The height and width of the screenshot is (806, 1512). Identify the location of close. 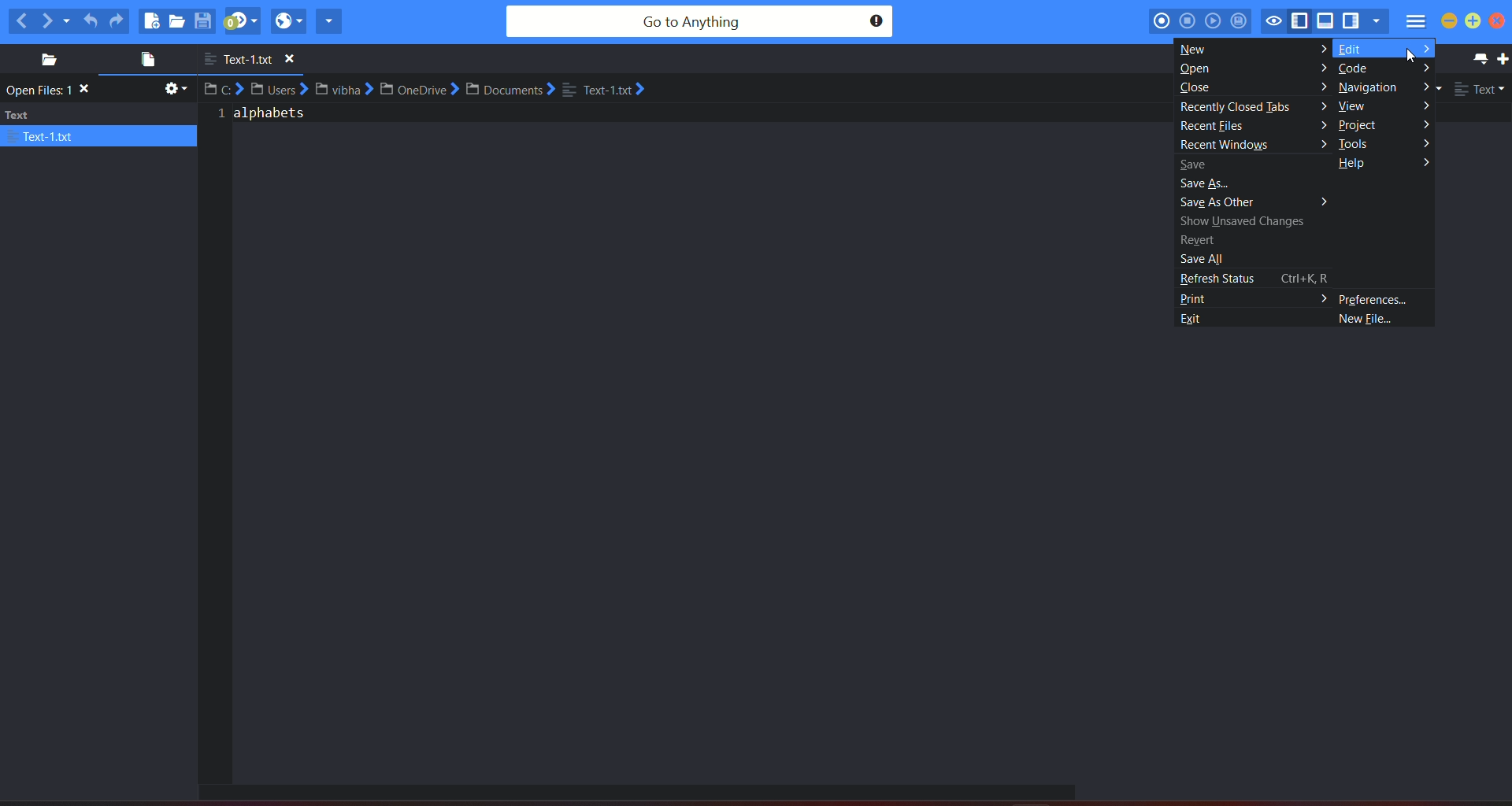
(1502, 22).